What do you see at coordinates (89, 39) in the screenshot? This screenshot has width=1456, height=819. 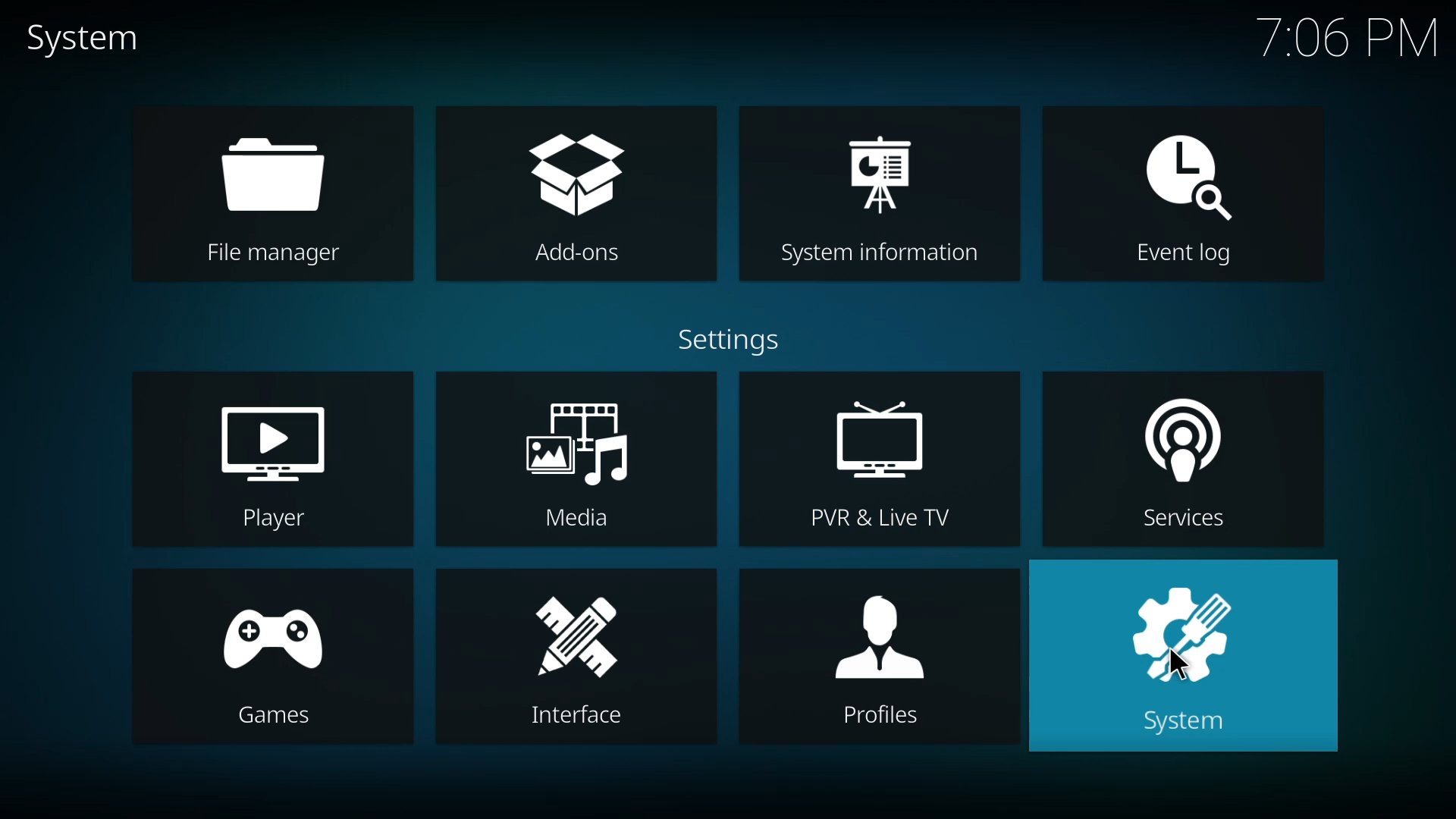 I see `system` at bounding box center [89, 39].